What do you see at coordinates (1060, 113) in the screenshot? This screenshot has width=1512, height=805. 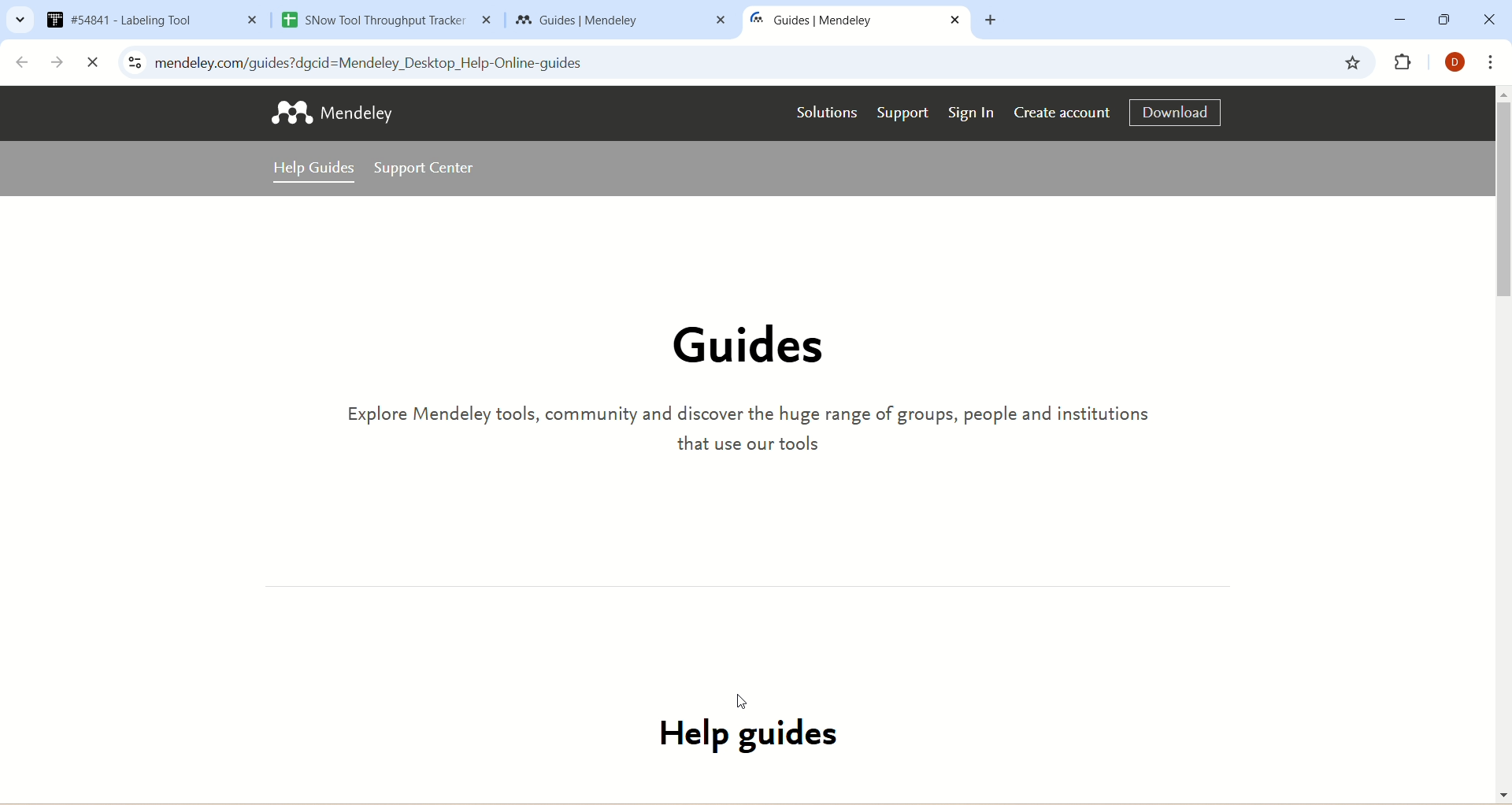 I see `create account` at bounding box center [1060, 113].